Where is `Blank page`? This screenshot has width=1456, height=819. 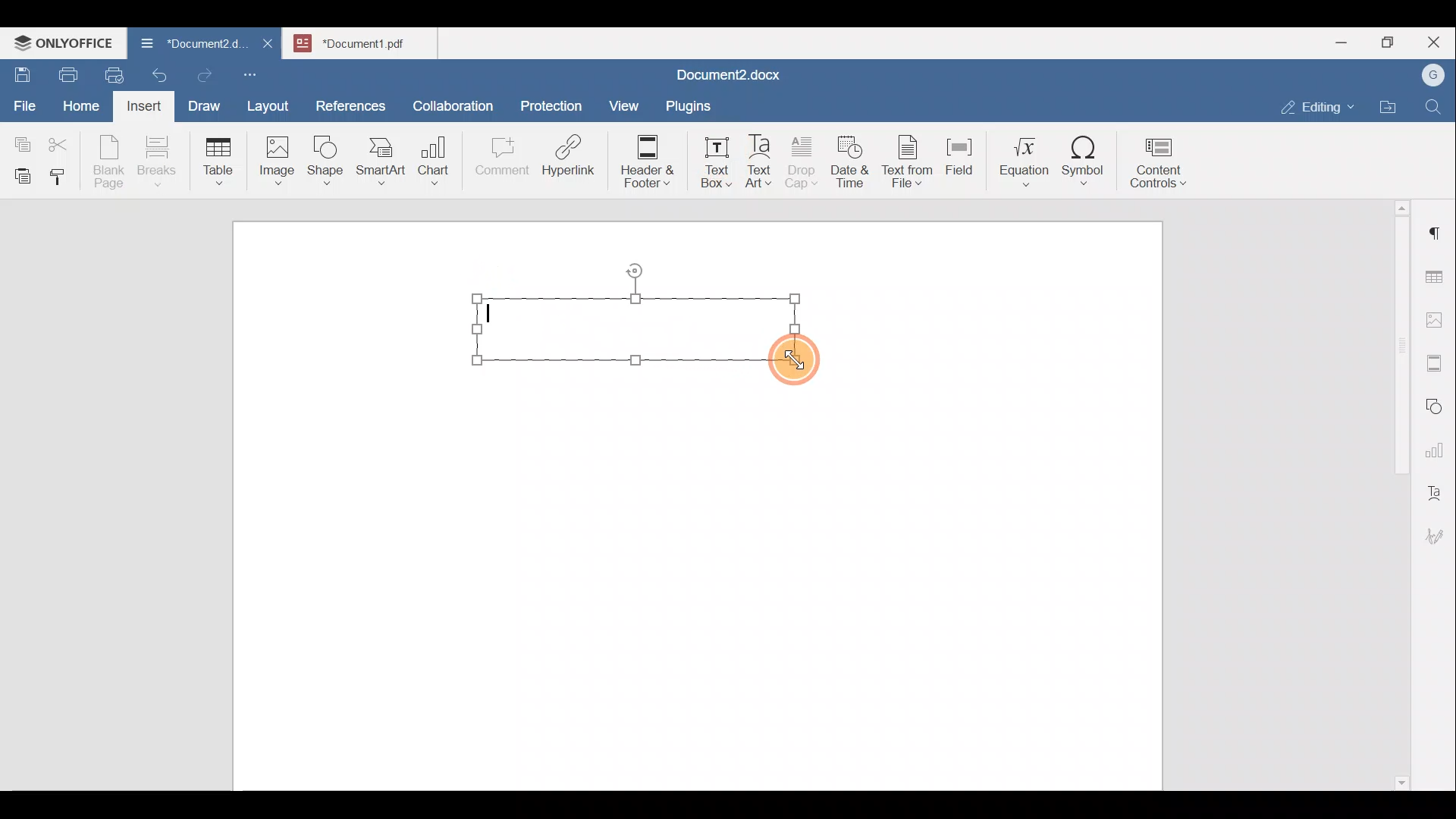 Blank page is located at coordinates (111, 162).